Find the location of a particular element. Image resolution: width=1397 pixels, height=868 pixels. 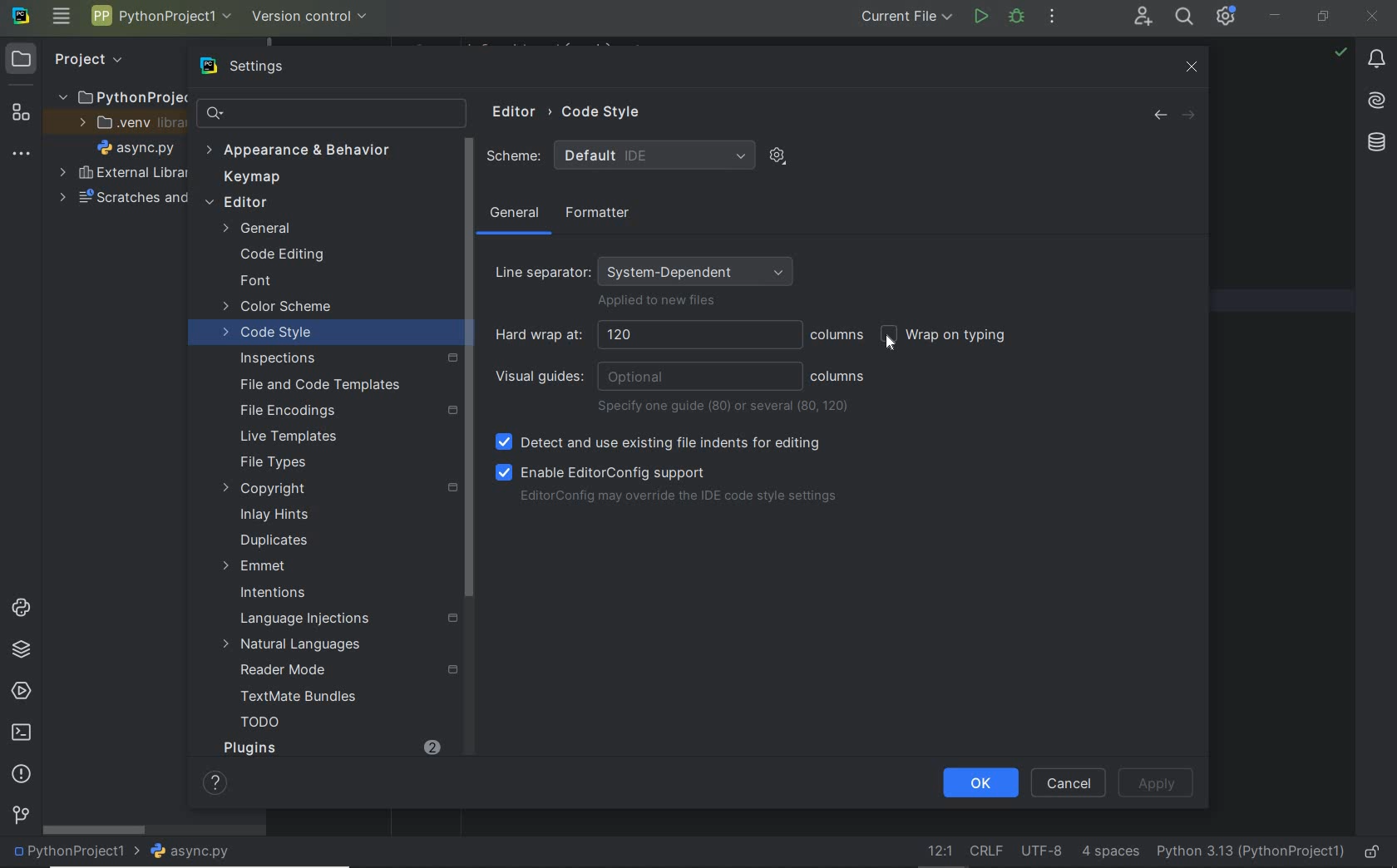

version control is located at coordinates (310, 17).